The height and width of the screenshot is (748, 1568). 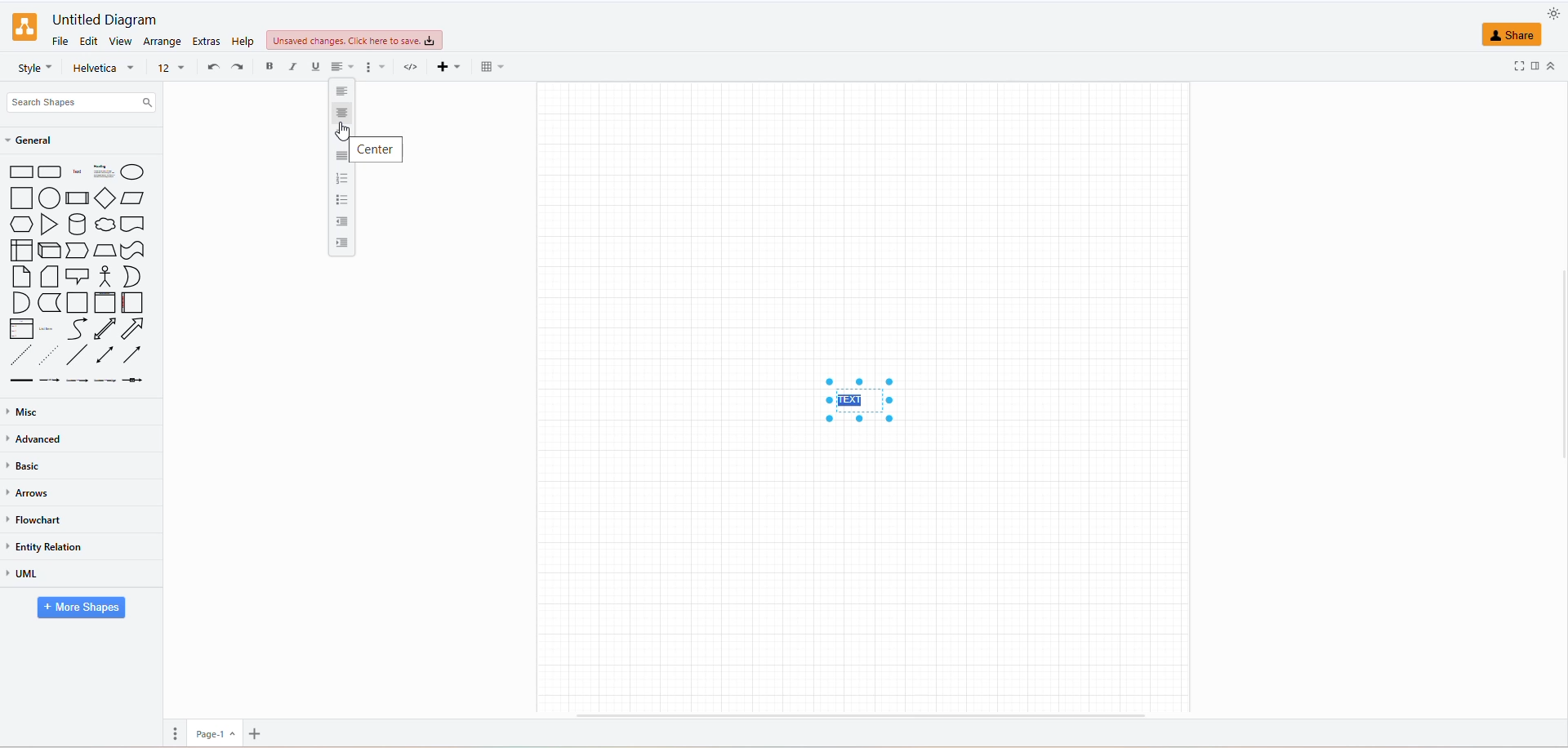 What do you see at coordinates (374, 69) in the screenshot?
I see `format` at bounding box center [374, 69].